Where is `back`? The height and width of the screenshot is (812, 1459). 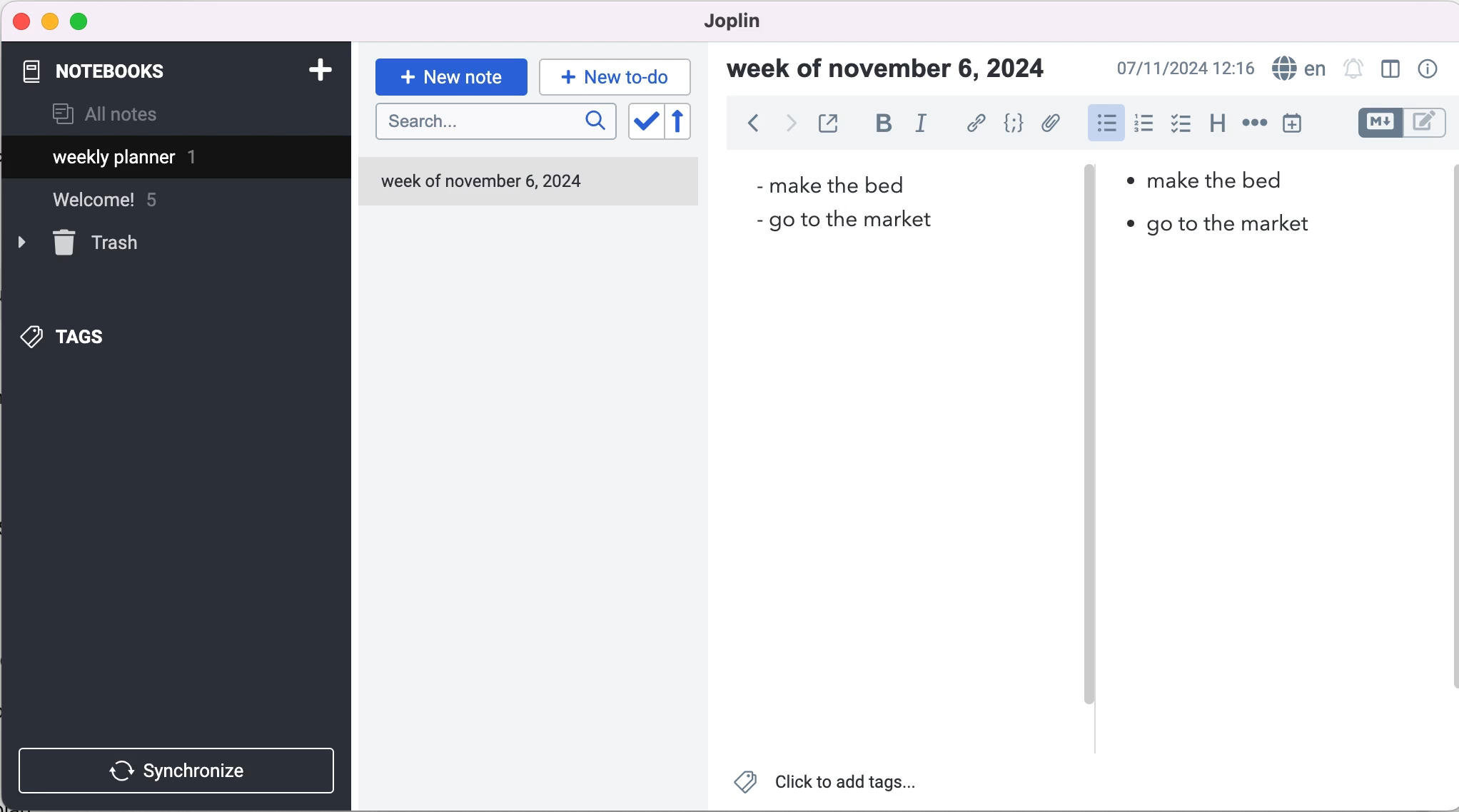 back is located at coordinates (752, 127).